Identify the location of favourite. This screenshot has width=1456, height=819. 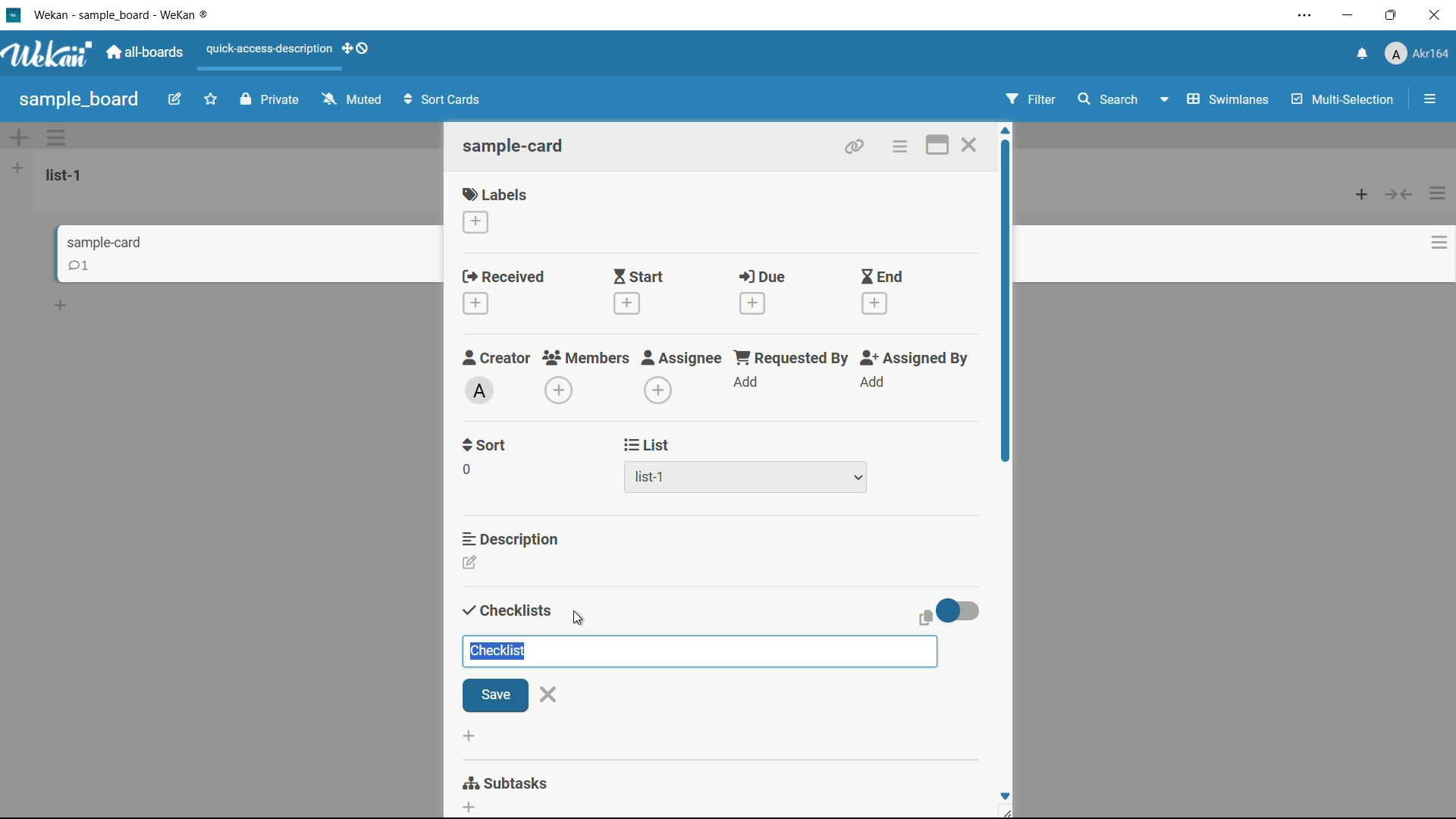
(211, 96).